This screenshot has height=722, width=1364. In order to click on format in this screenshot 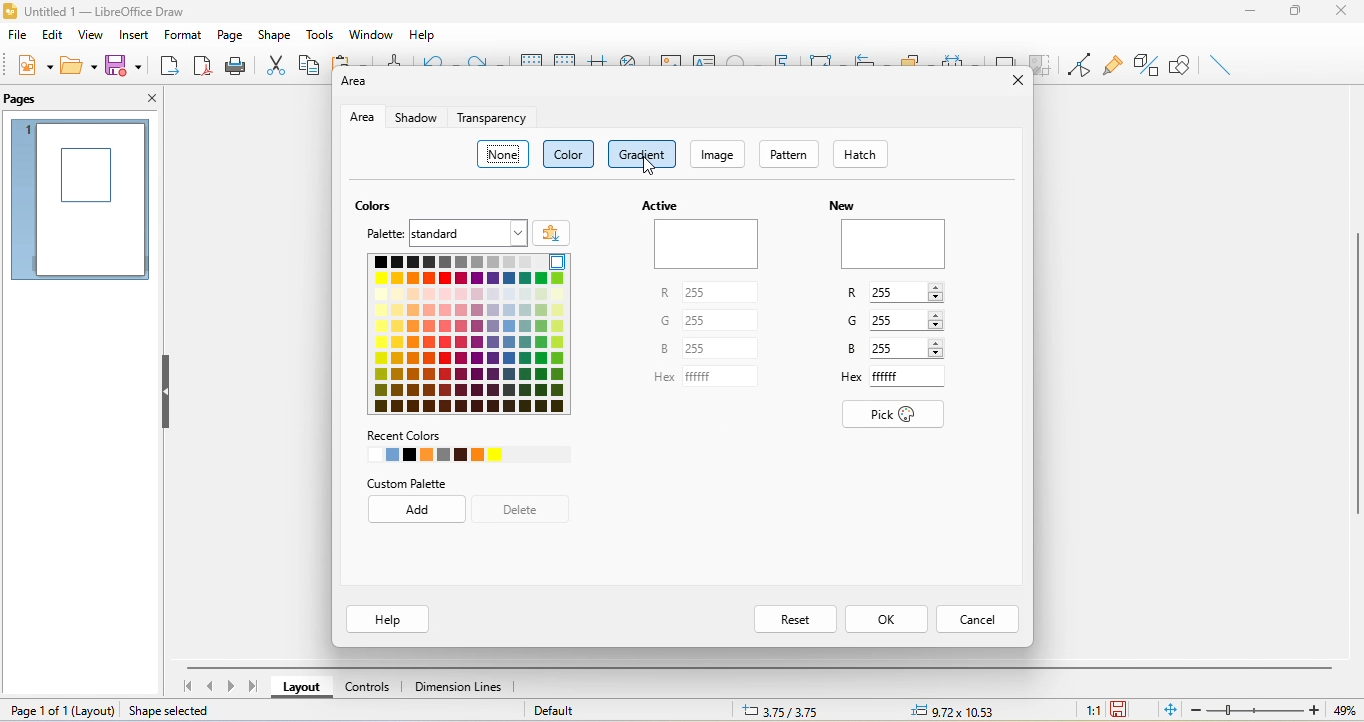, I will do `click(181, 32)`.